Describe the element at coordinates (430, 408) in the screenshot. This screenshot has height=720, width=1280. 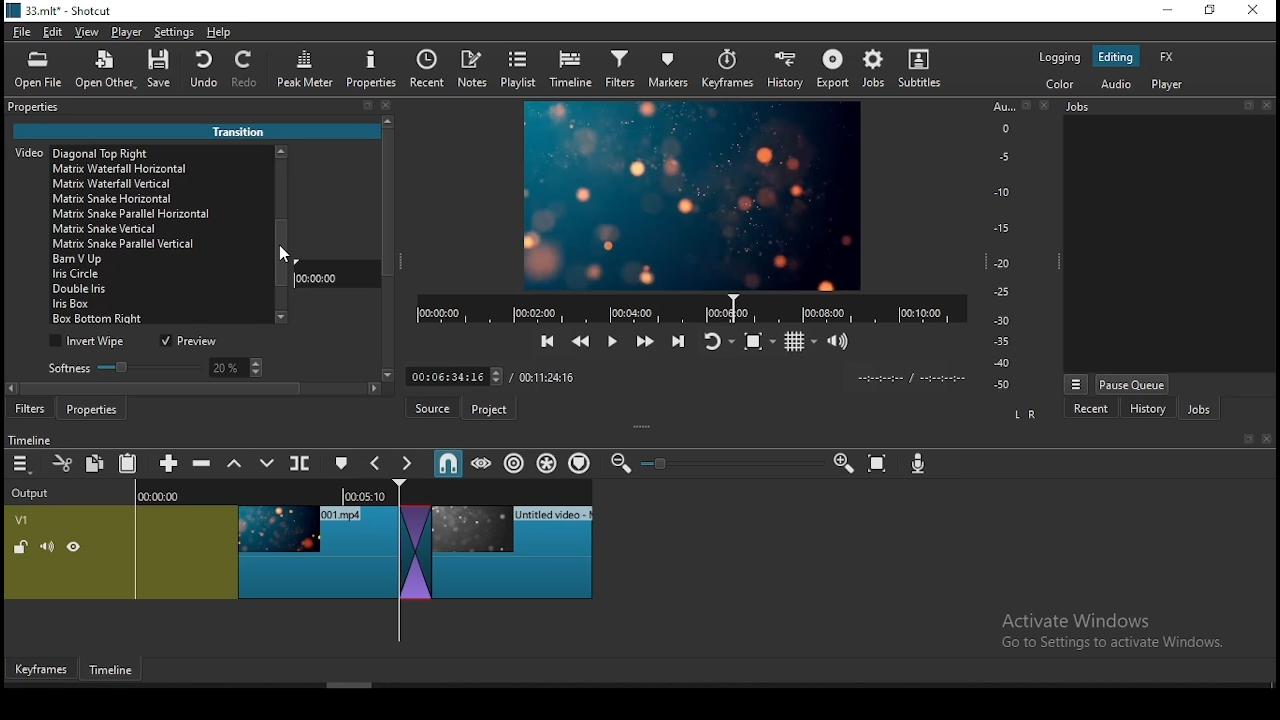
I see `Source` at that location.